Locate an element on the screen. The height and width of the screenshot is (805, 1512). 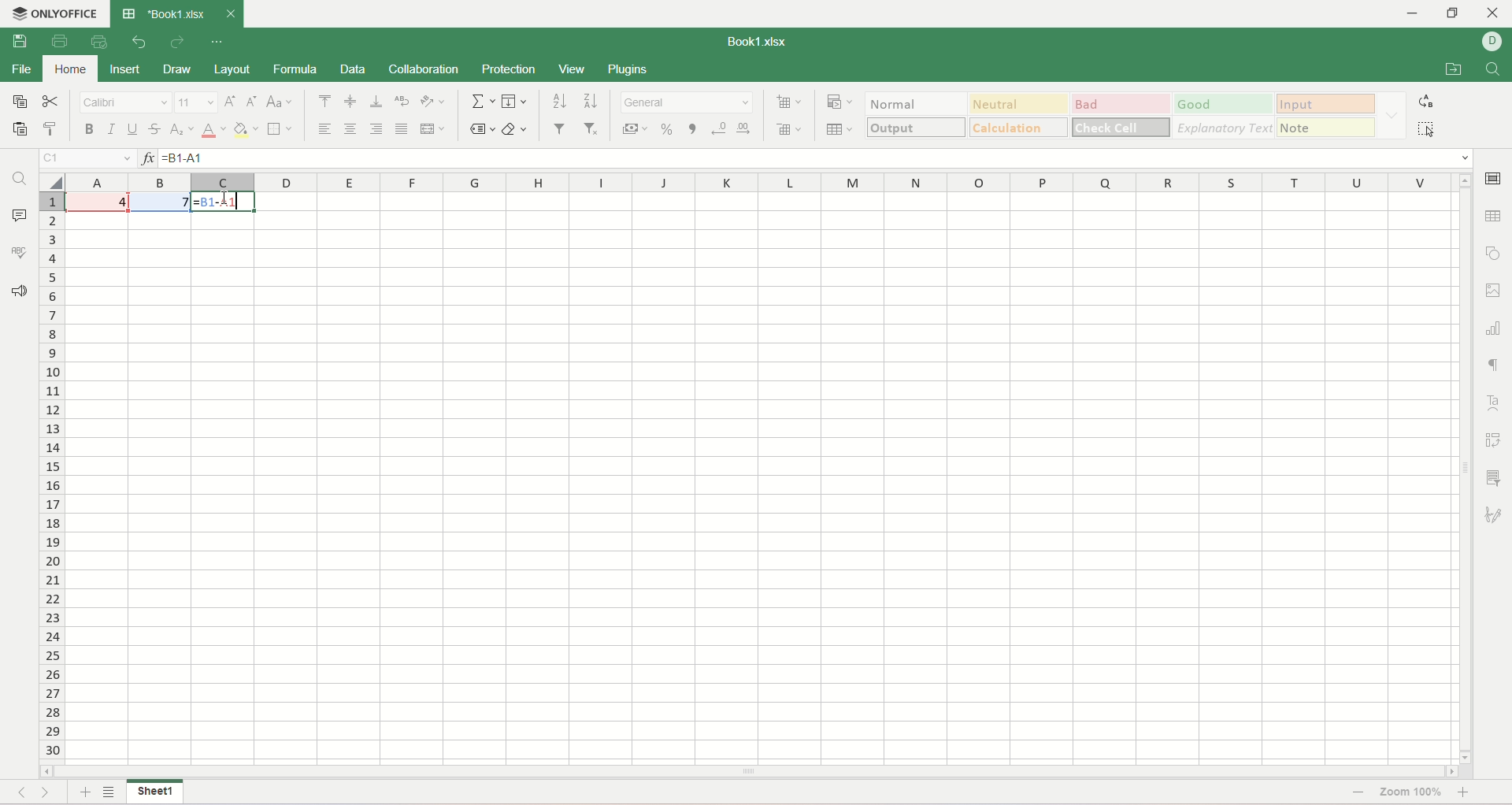
row number is located at coordinates (54, 472).